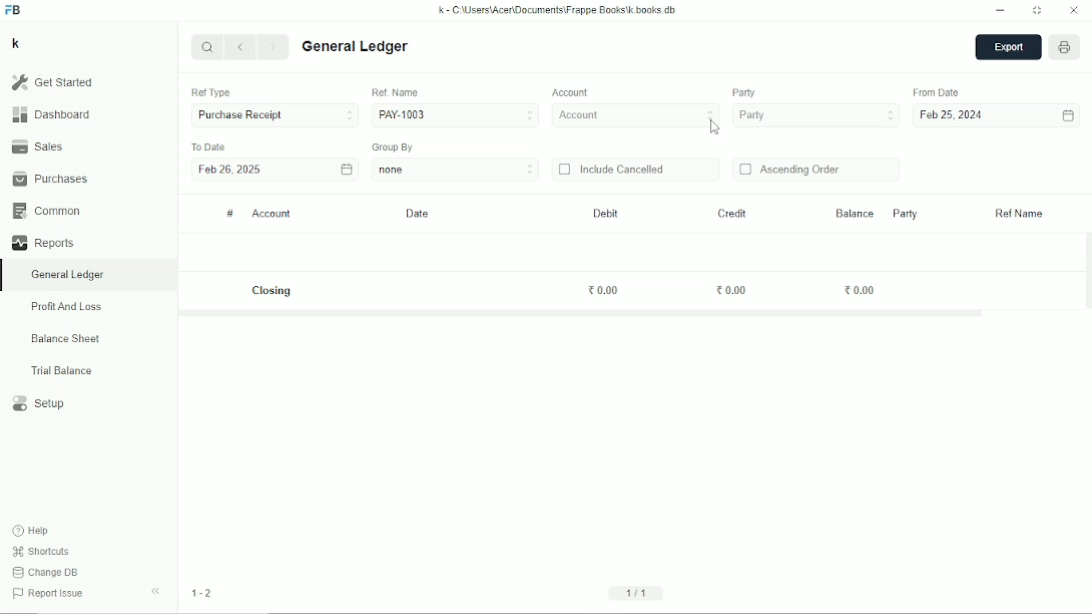  I want to click on Open report print view, so click(1065, 48).